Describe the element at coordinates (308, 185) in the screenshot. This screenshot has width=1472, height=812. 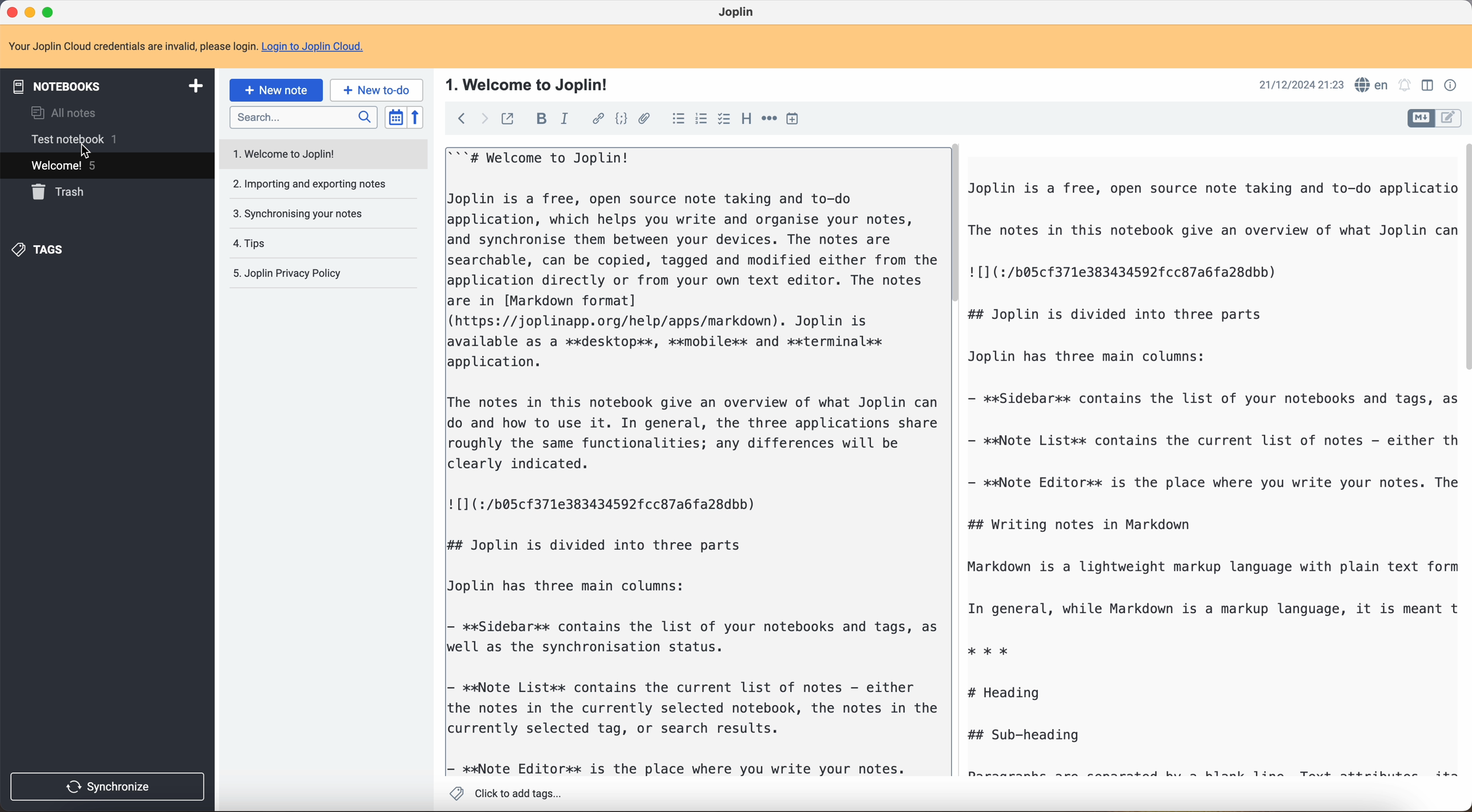
I see `importing and exporting notes` at that location.